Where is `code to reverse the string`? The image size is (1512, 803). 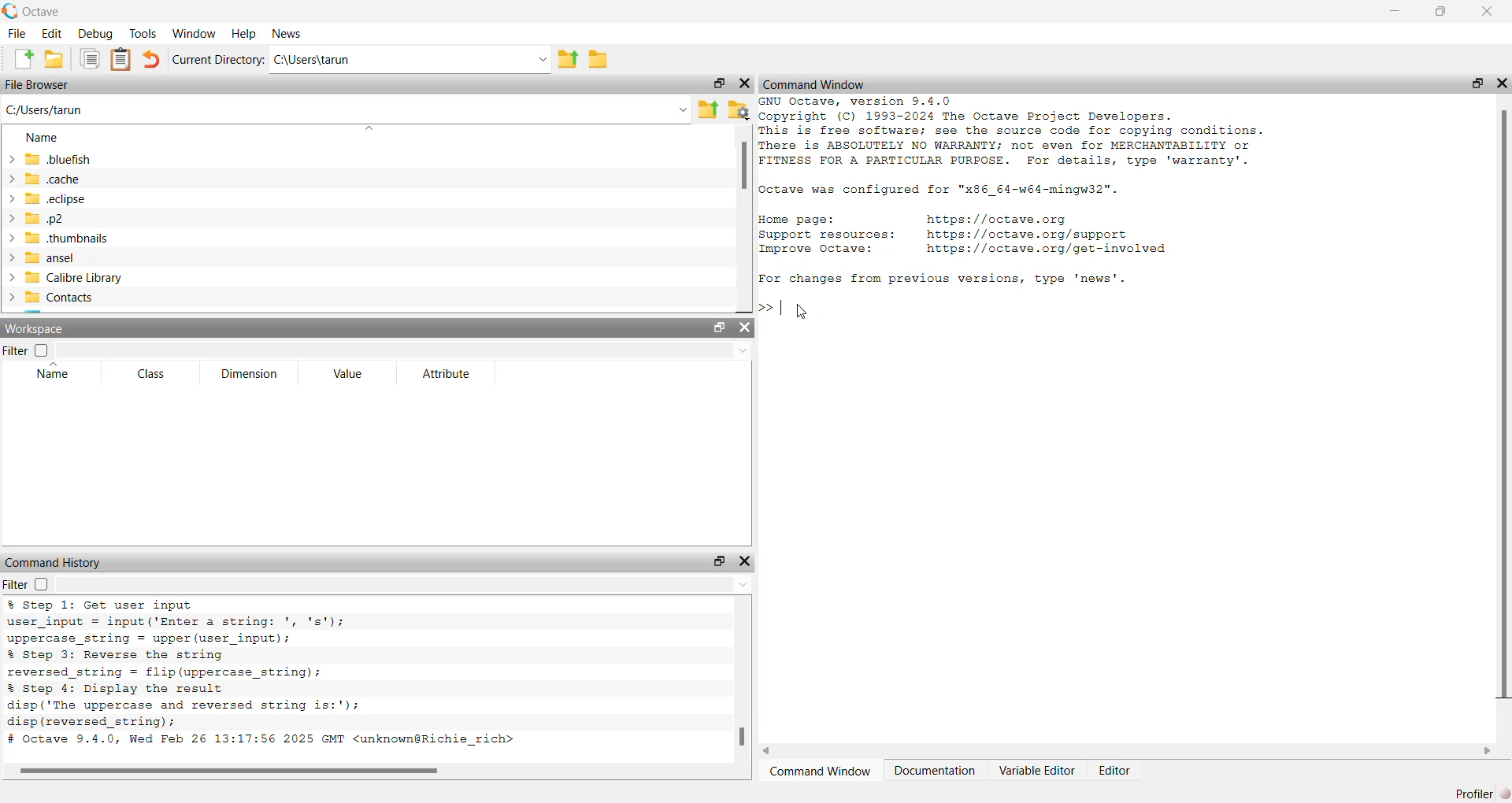 code to reverse the string is located at coordinates (198, 664).